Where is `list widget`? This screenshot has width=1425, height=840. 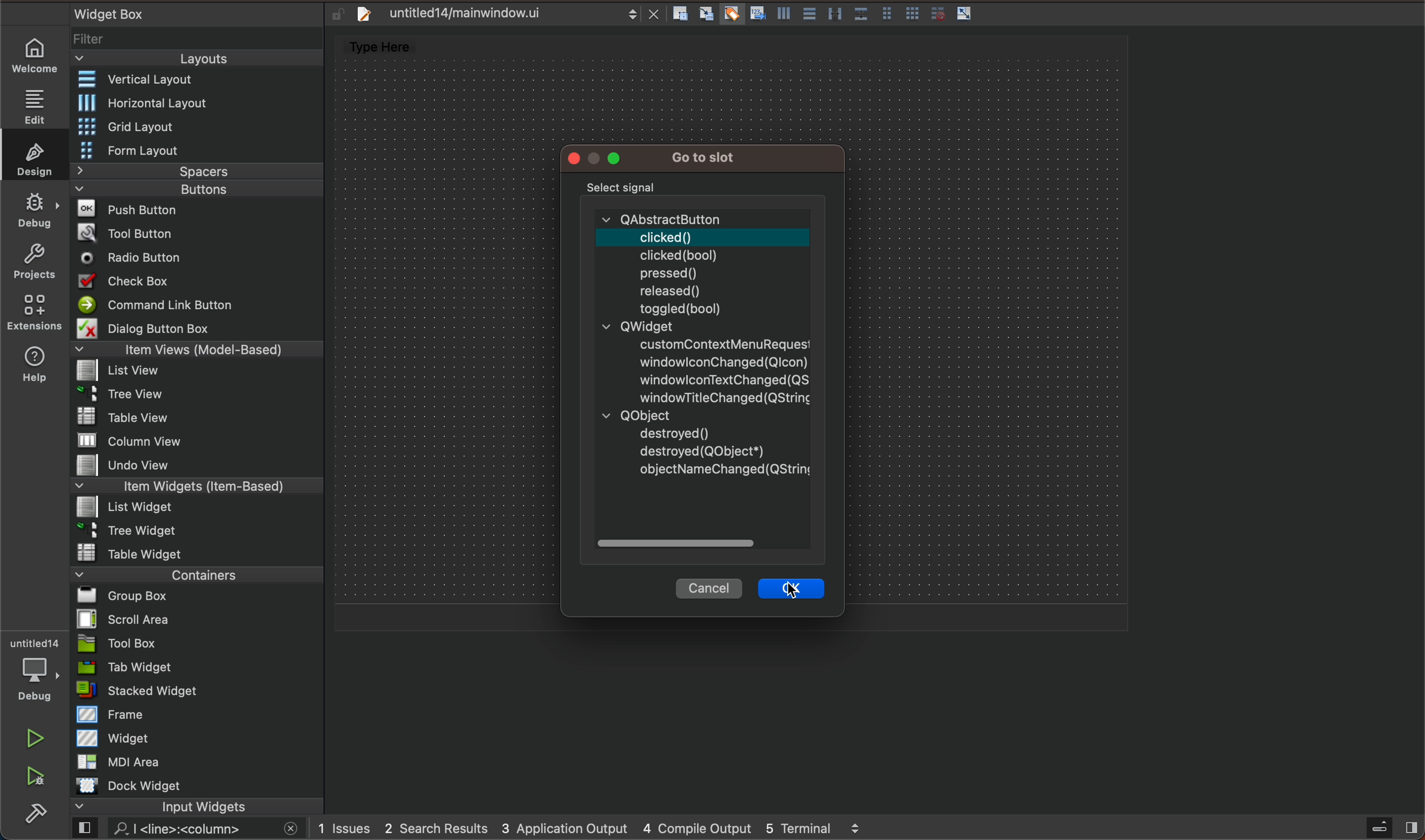
list widget is located at coordinates (200, 509).